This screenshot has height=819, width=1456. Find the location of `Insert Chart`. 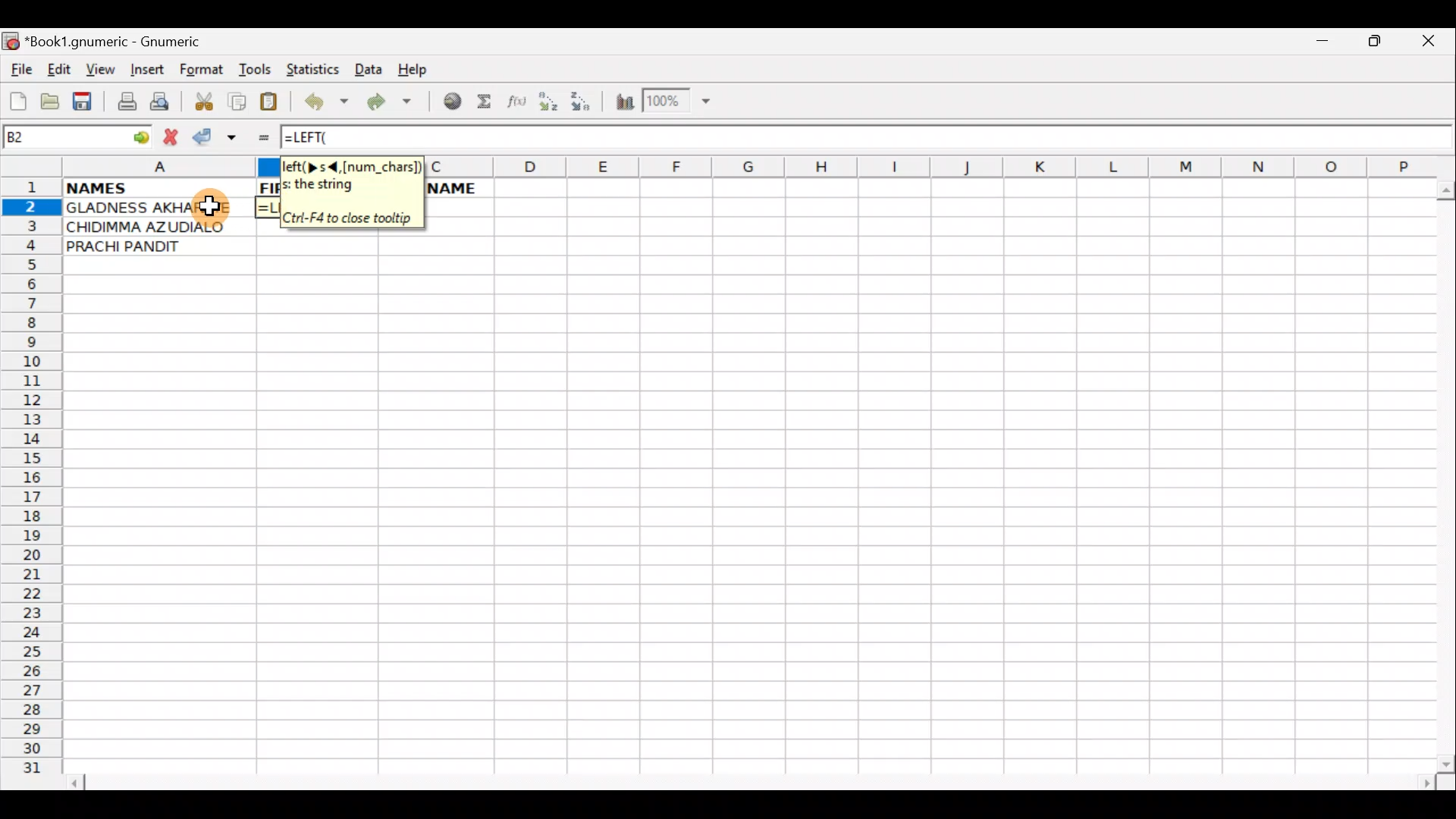

Insert Chart is located at coordinates (620, 104).